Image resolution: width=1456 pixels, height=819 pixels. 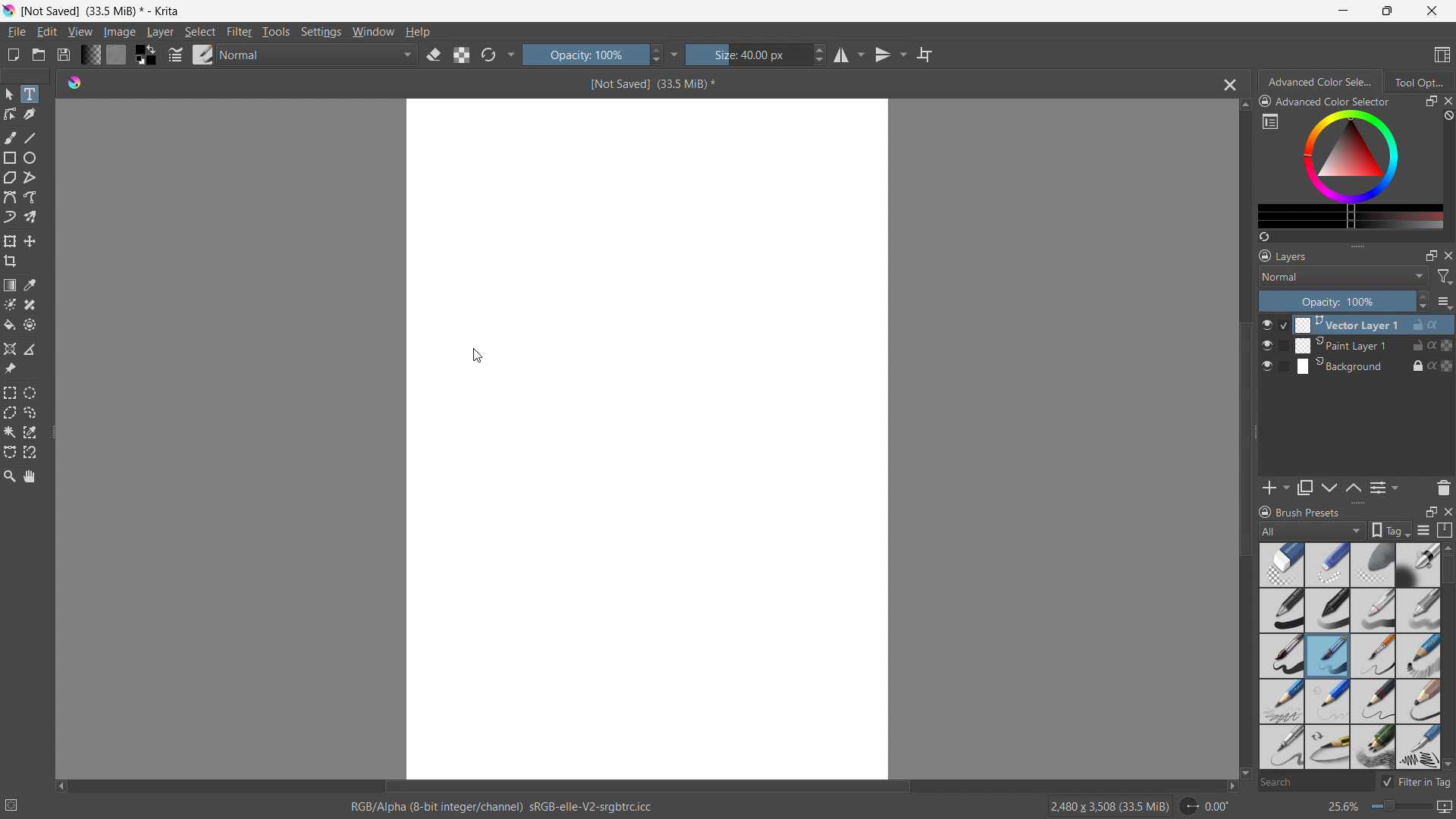 I want to click on opacity control, so click(x=592, y=54).